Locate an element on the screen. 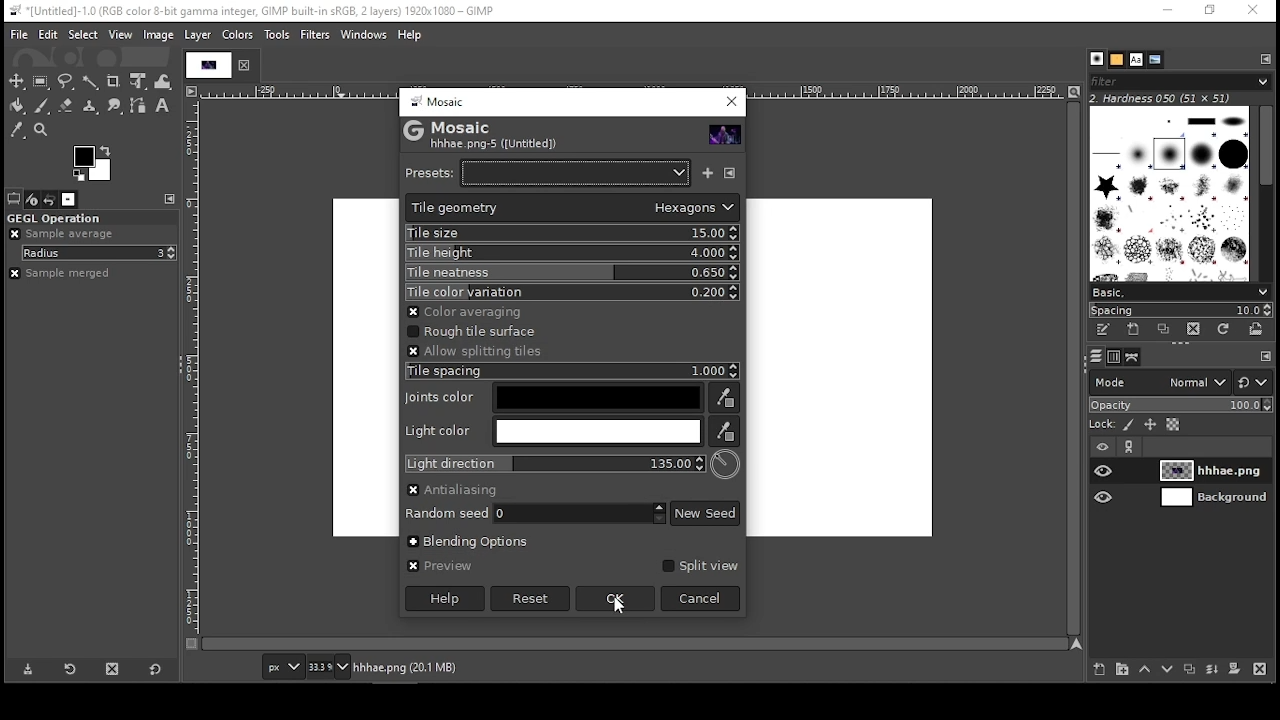 The height and width of the screenshot is (720, 1280). light direction is located at coordinates (573, 465).